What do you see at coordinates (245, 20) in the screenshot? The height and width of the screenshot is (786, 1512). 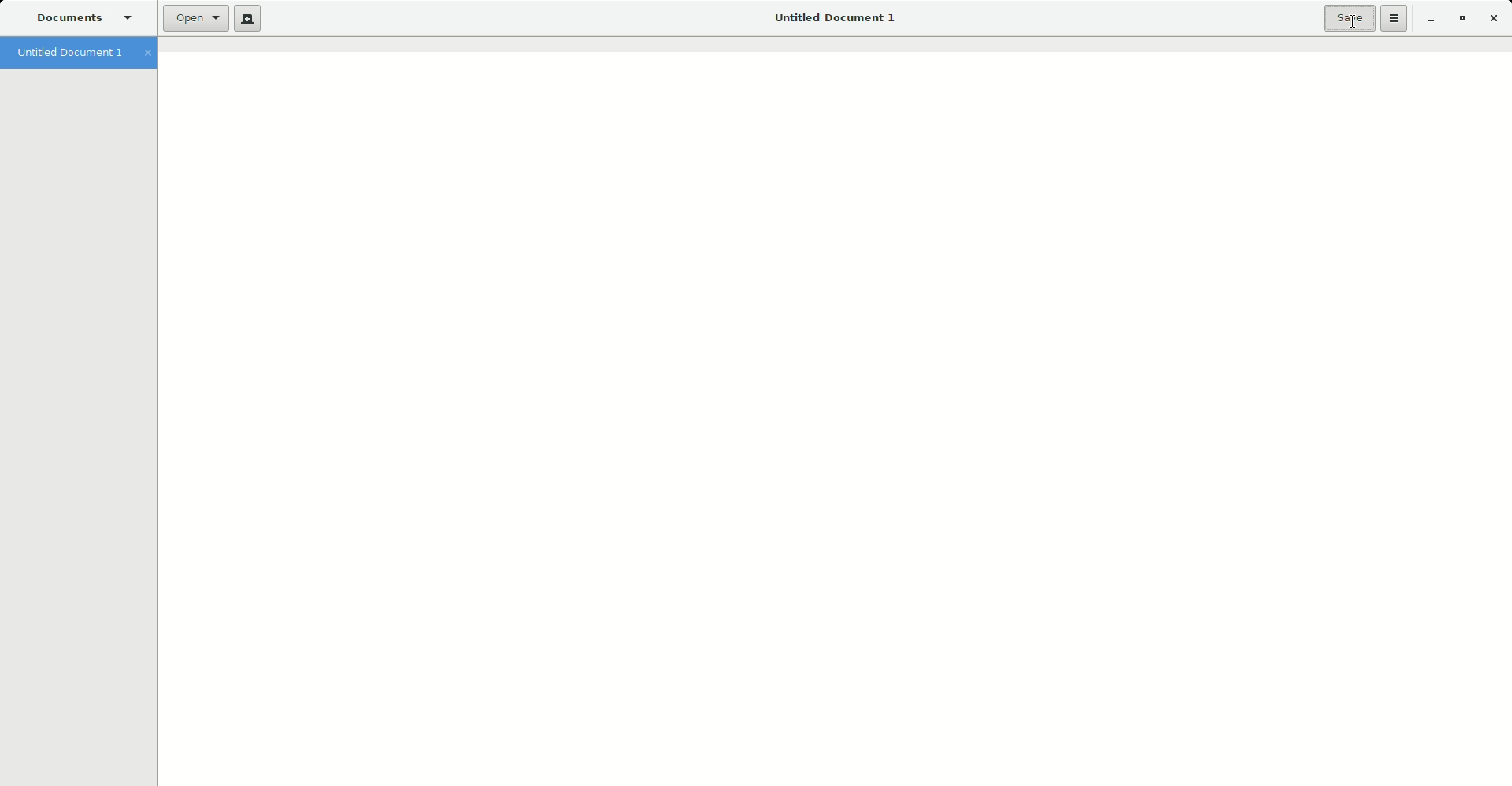 I see `New` at bounding box center [245, 20].